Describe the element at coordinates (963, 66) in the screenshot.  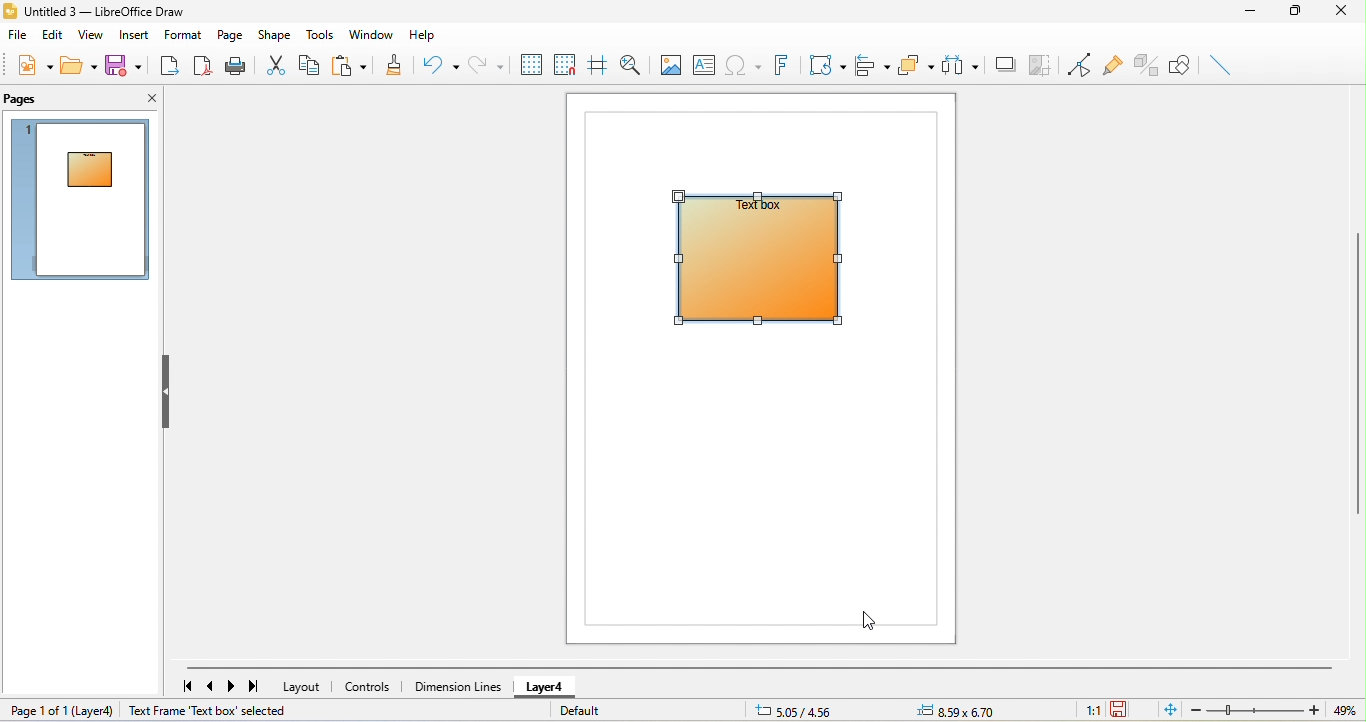
I see `select at least three object` at that location.